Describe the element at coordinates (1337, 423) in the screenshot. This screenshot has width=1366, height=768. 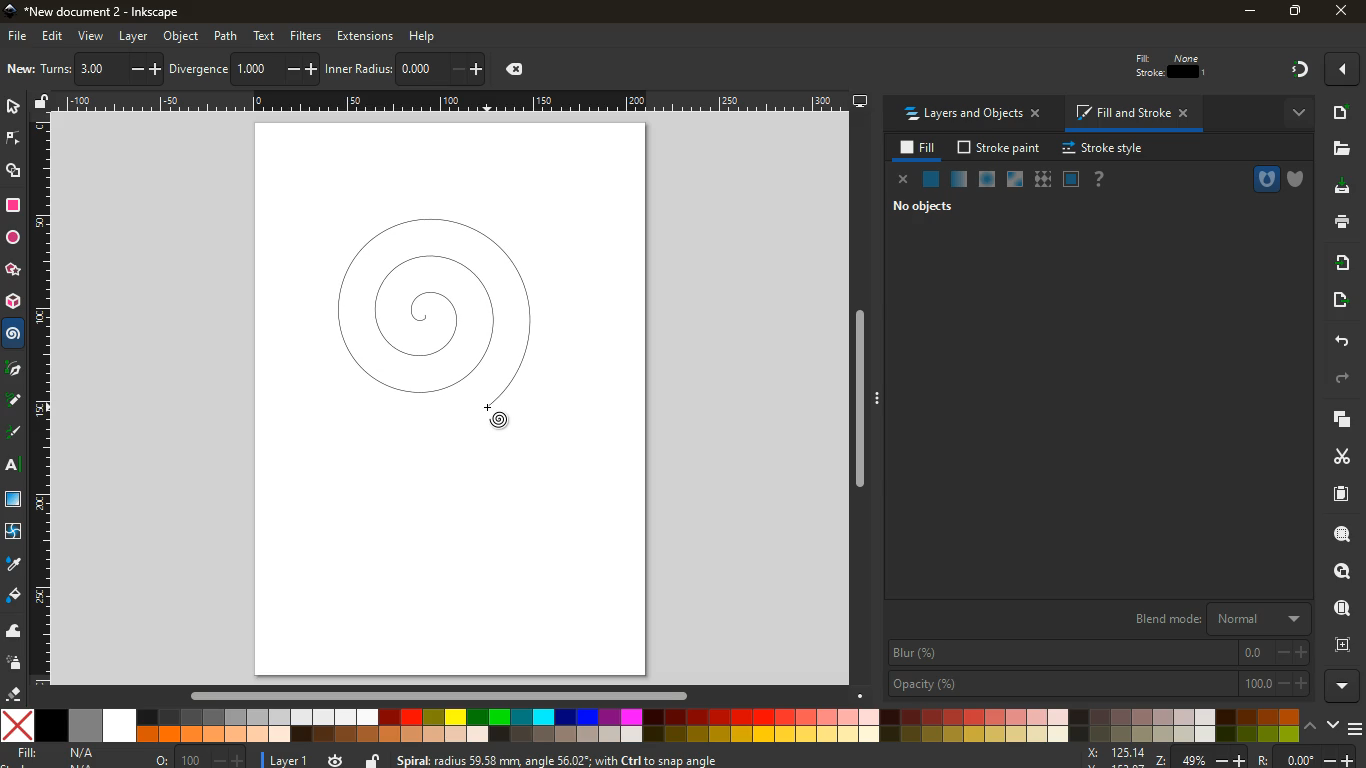
I see `layers` at that location.